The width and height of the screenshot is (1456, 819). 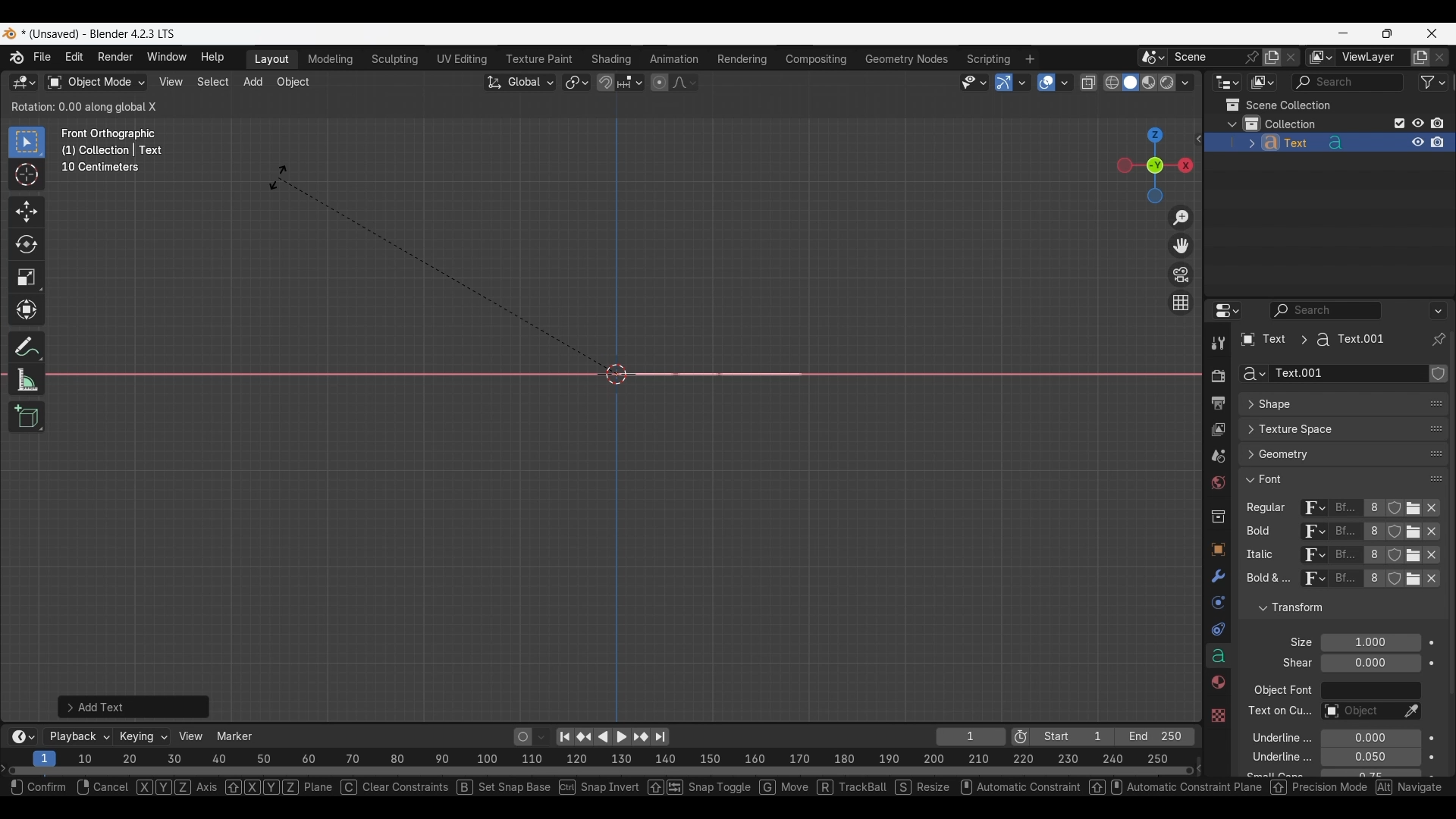 I want to click on regular, so click(x=1269, y=509).